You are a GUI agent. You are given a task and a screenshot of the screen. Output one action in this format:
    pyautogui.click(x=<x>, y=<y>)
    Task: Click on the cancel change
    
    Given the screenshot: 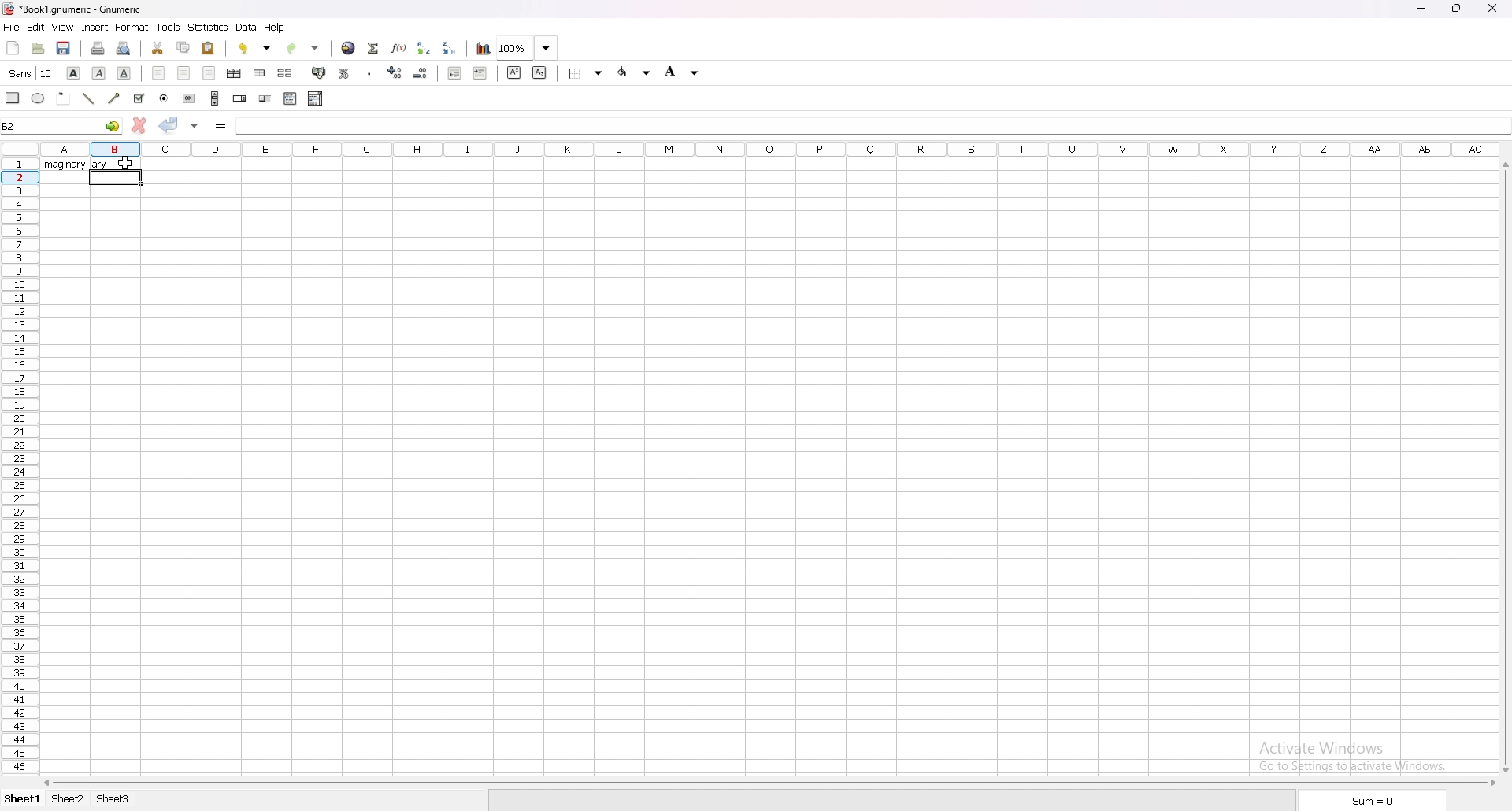 What is the action you would take?
    pyautogui.click(x=139, y=126)
    